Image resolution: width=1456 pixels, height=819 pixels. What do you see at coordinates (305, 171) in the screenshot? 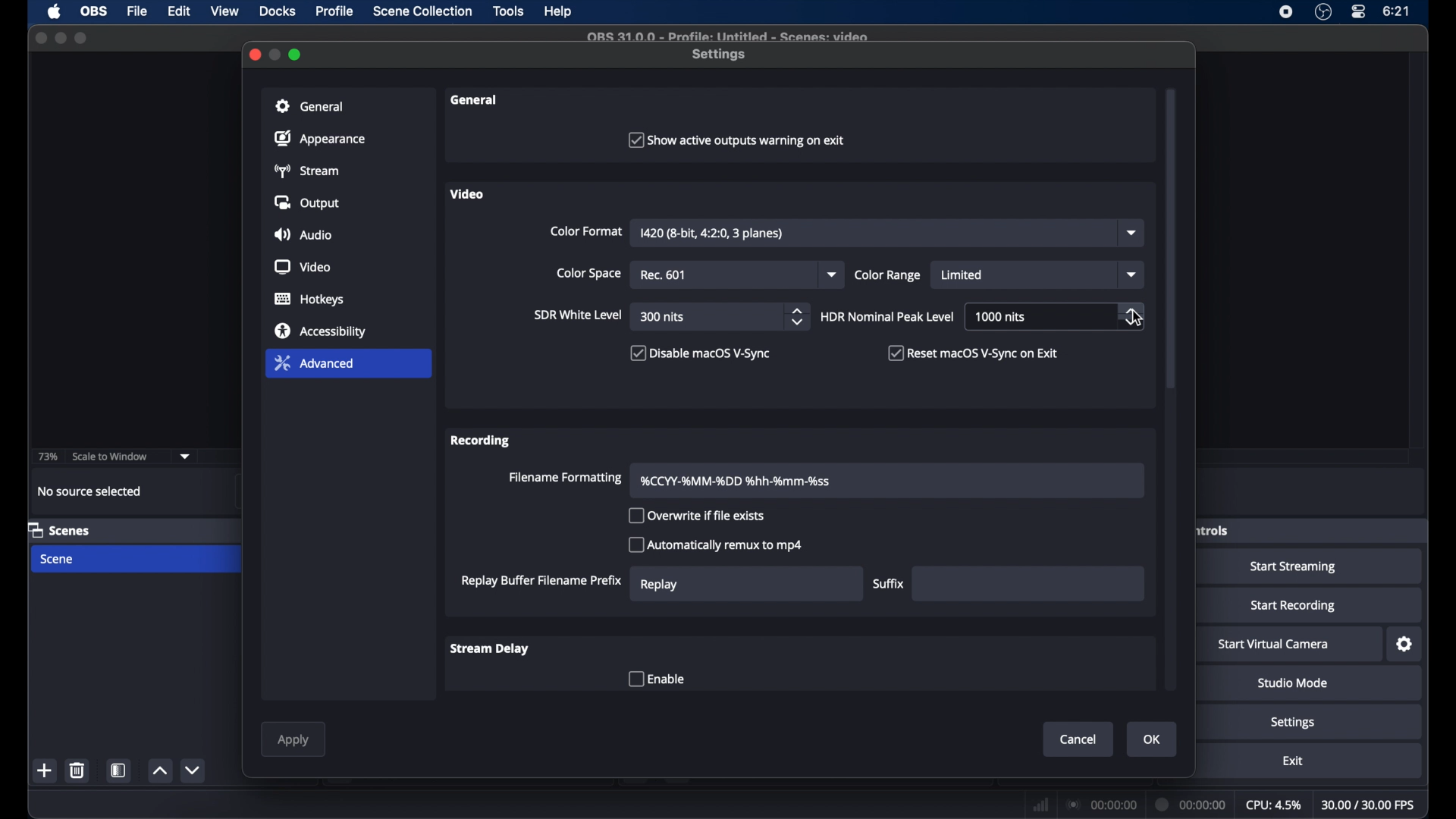
I see `stream` at bounding box center [305, 171].